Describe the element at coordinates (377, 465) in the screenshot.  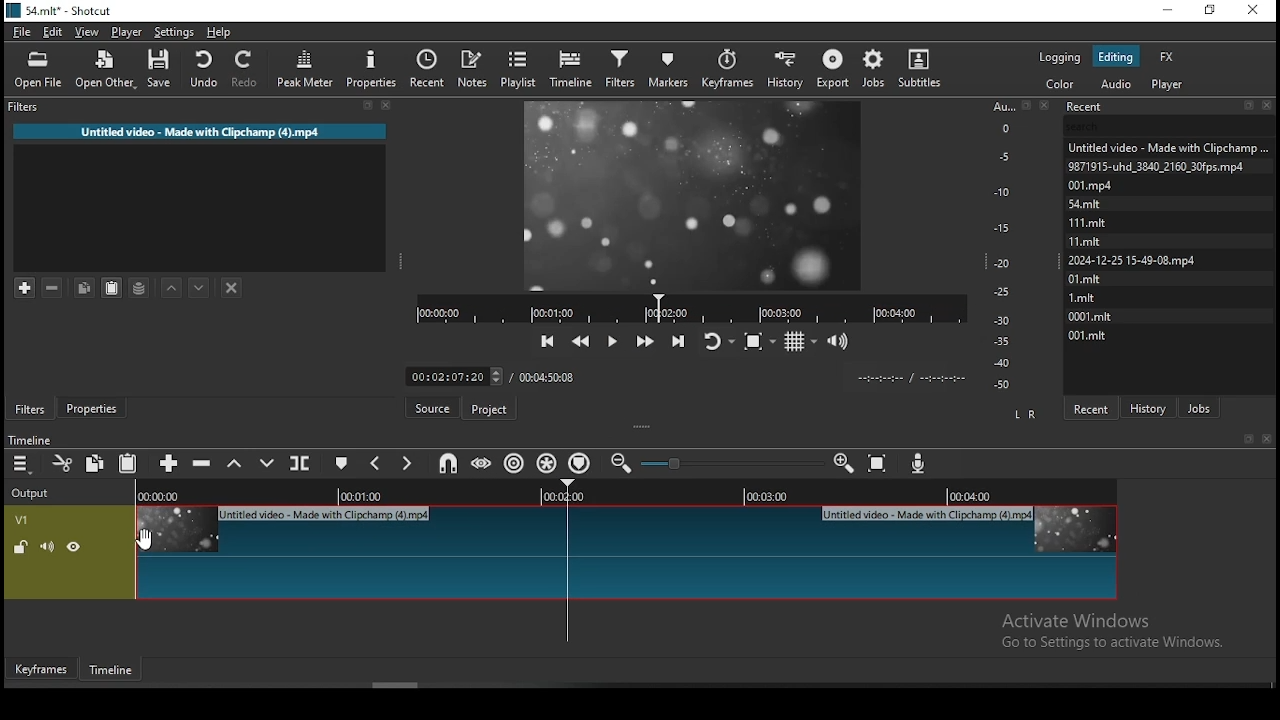
I see `previous marker` at that location.